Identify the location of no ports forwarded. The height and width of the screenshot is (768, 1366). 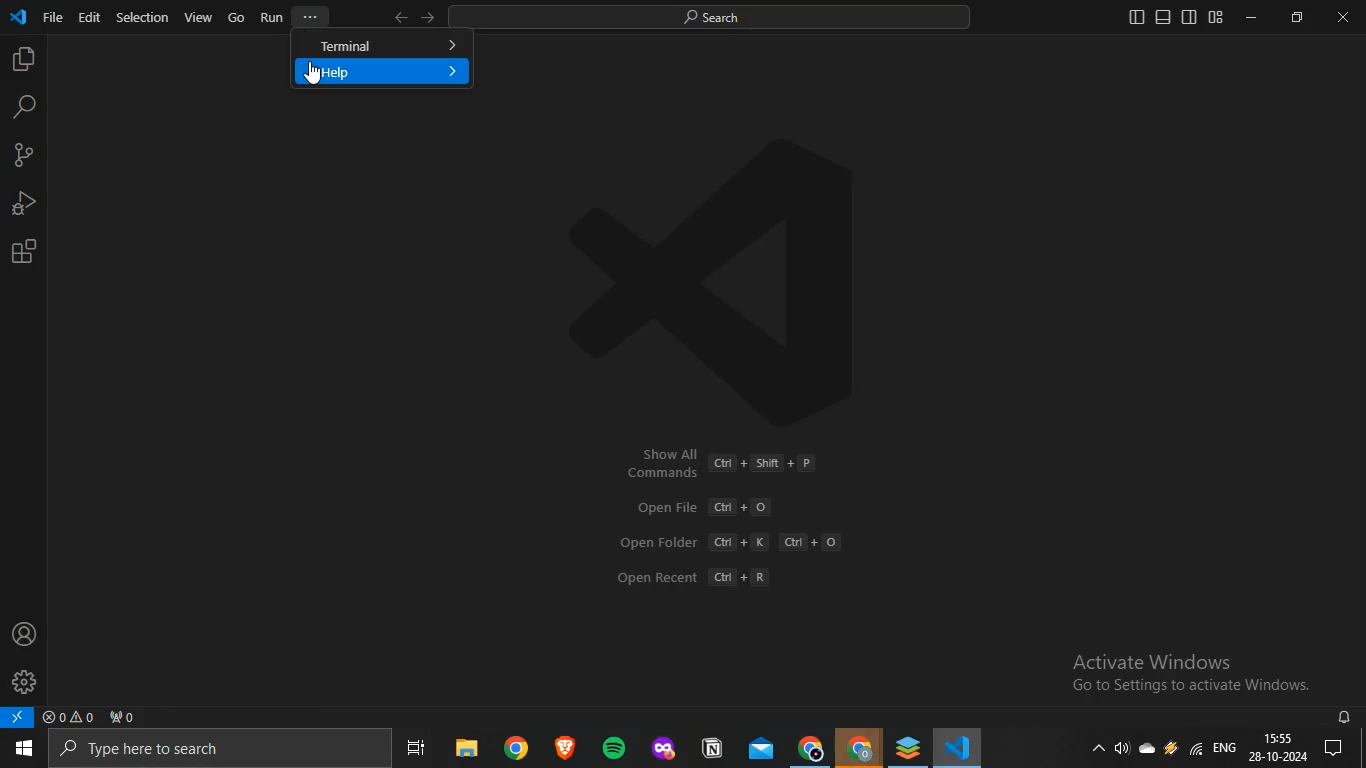
(122, 717).